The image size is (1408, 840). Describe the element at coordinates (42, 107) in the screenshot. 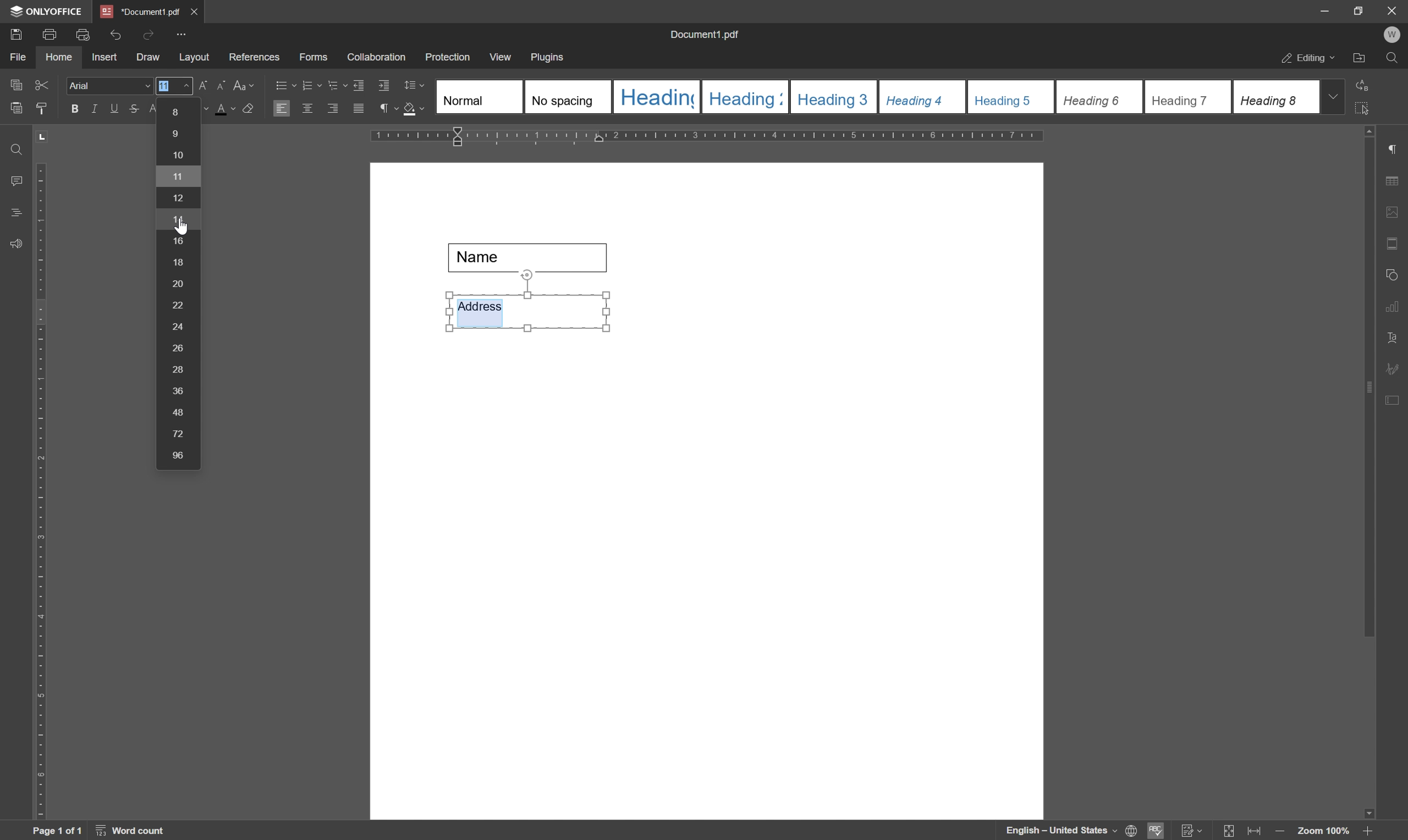

I see `copy style` at that location.